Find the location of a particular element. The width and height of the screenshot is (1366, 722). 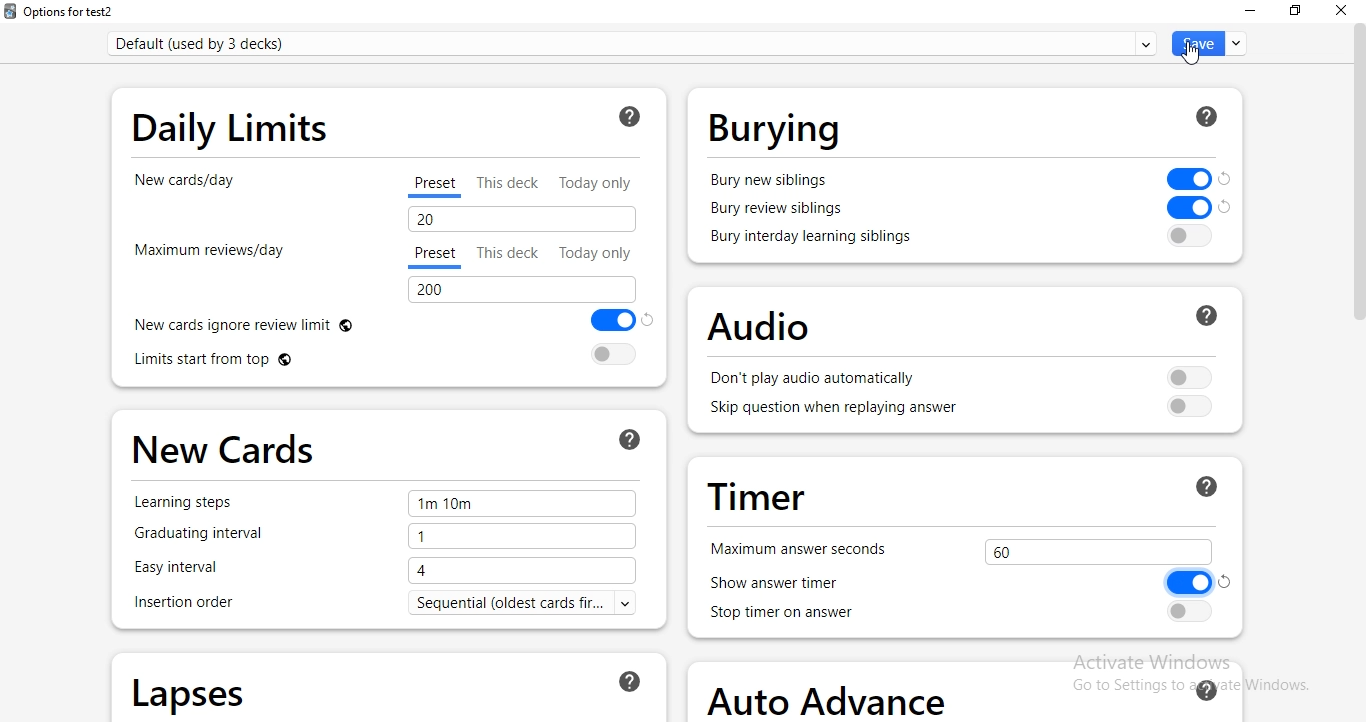

60 is located at coordinates (1097, 552).